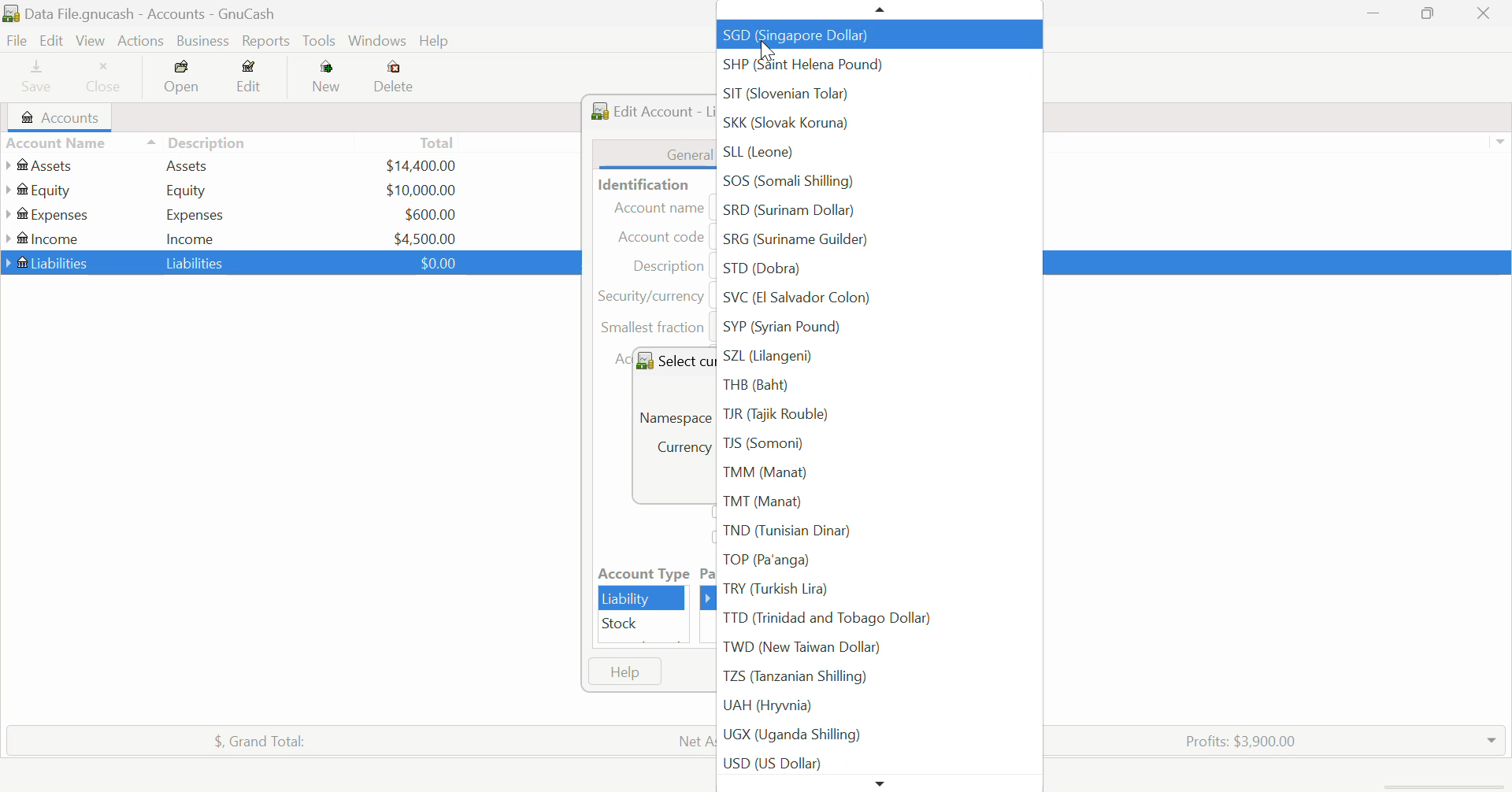 The image size is (1512, 792). Describe the element at coordinates (876, 443) in the screenshot. I see `TJS` at that location.